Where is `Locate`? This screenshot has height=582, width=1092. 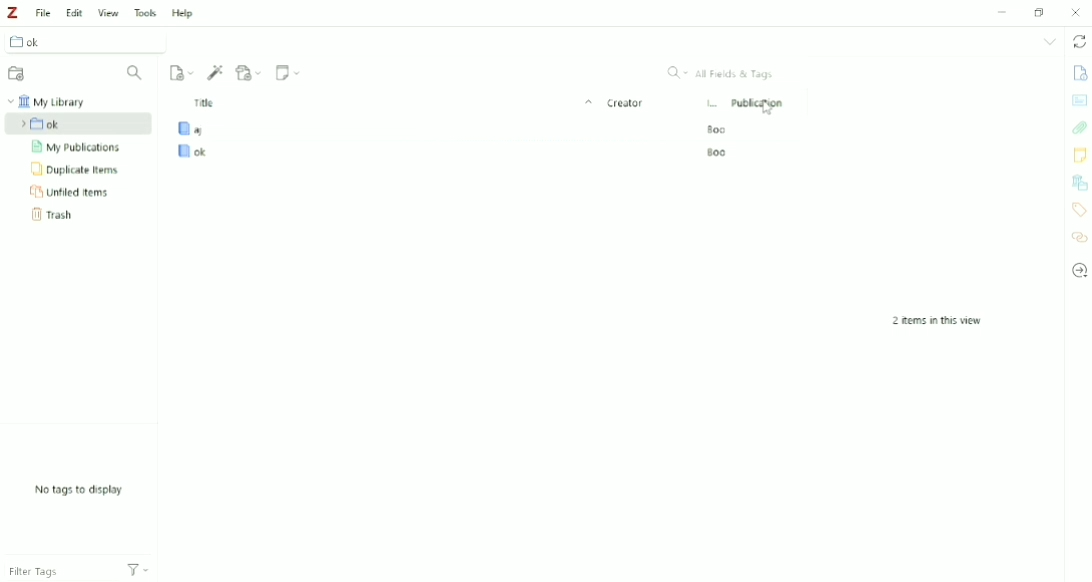 Locate is located at coordinates (1080, 269).